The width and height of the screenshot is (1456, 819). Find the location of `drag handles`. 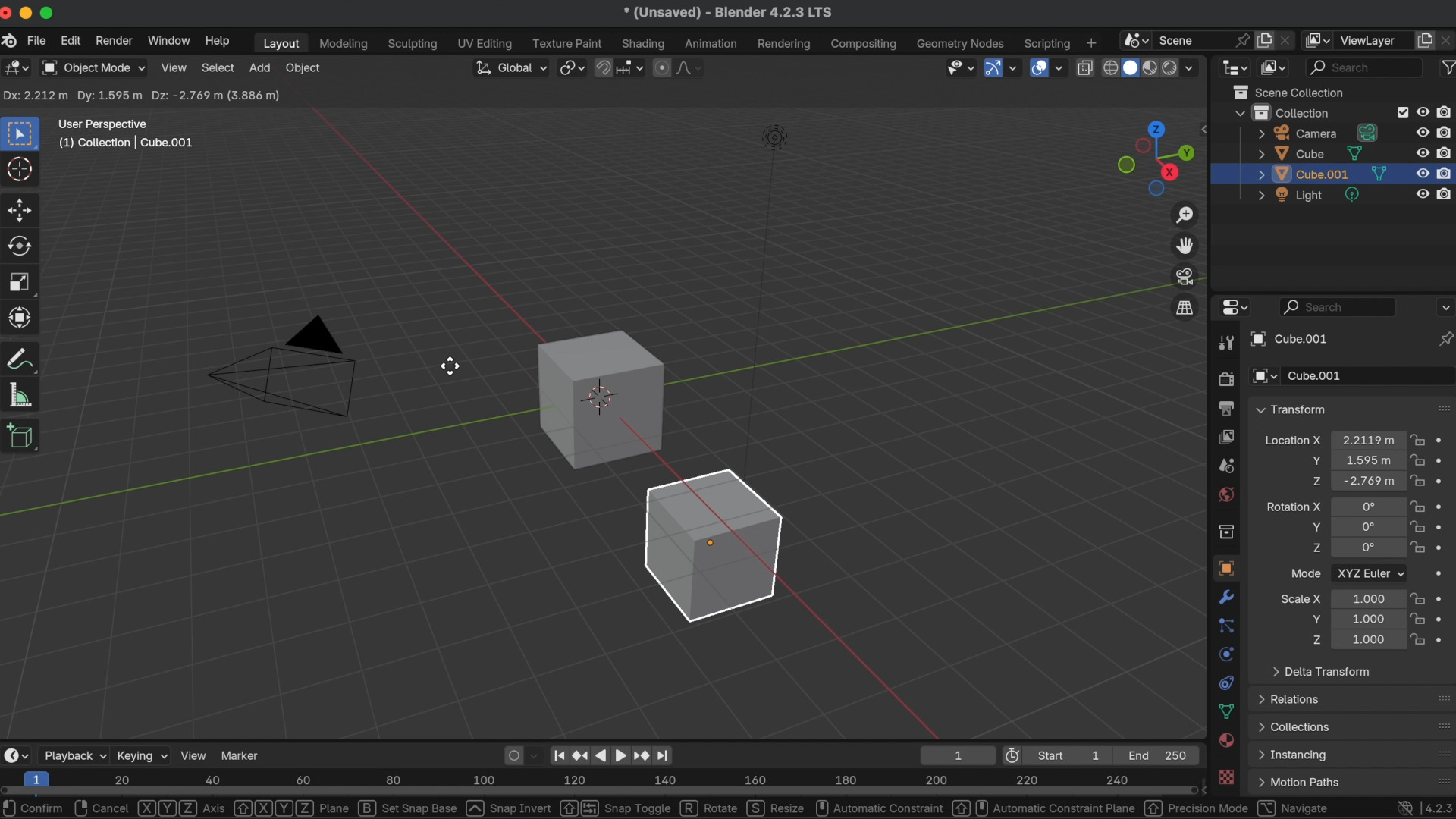

drag handles is located at coordinates (1442, 407).